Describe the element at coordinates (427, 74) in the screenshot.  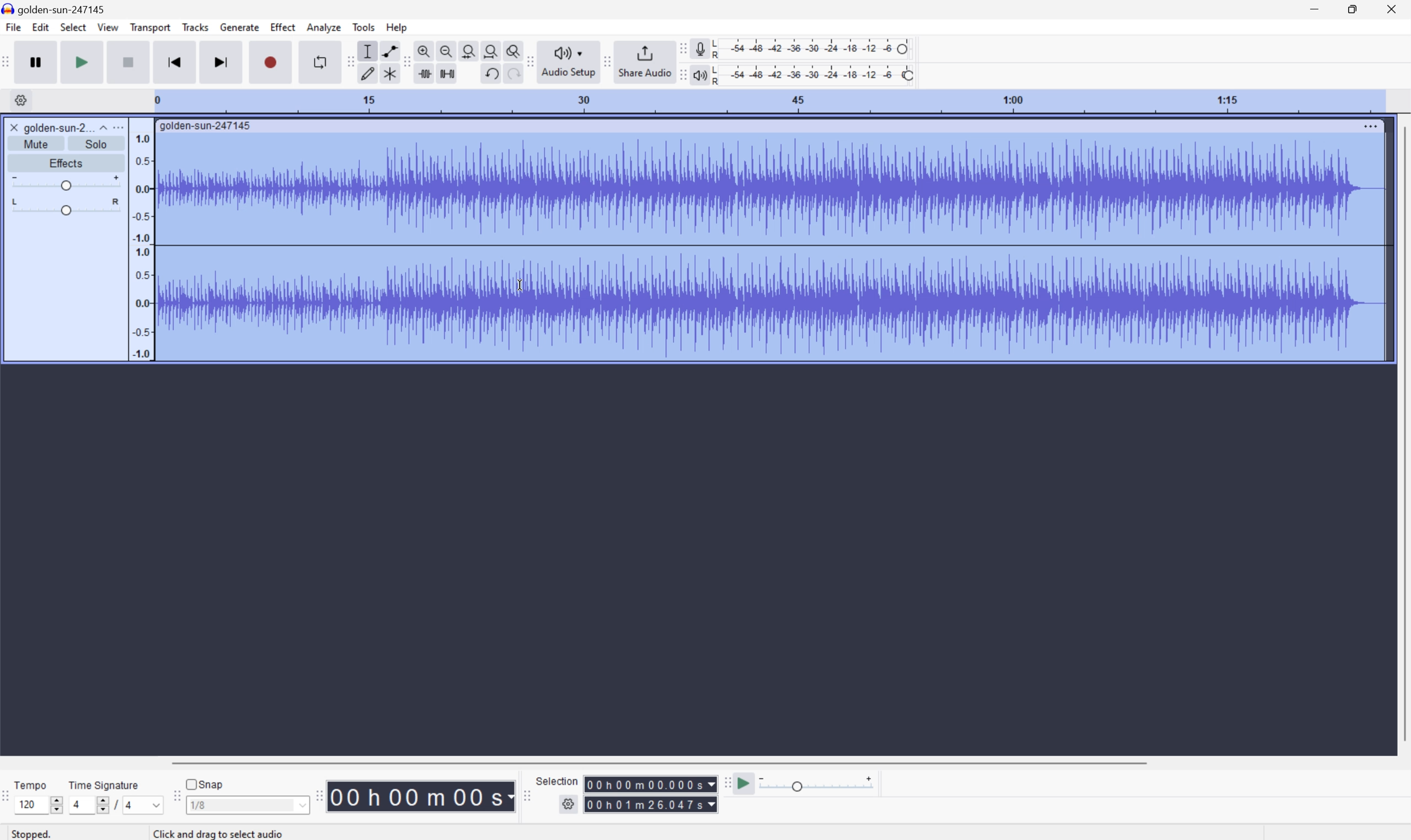
I see `Trim audio outside selection` at that location.